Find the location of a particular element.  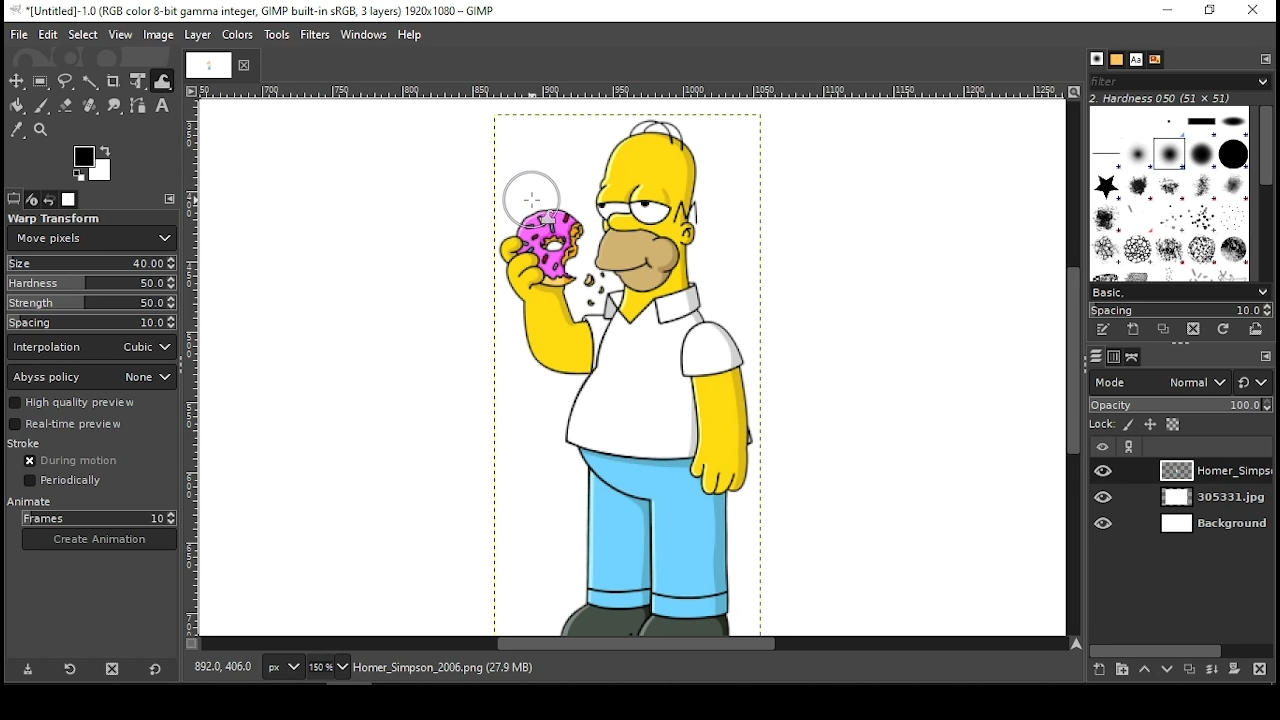

layer is located at coordinates (197, 35).